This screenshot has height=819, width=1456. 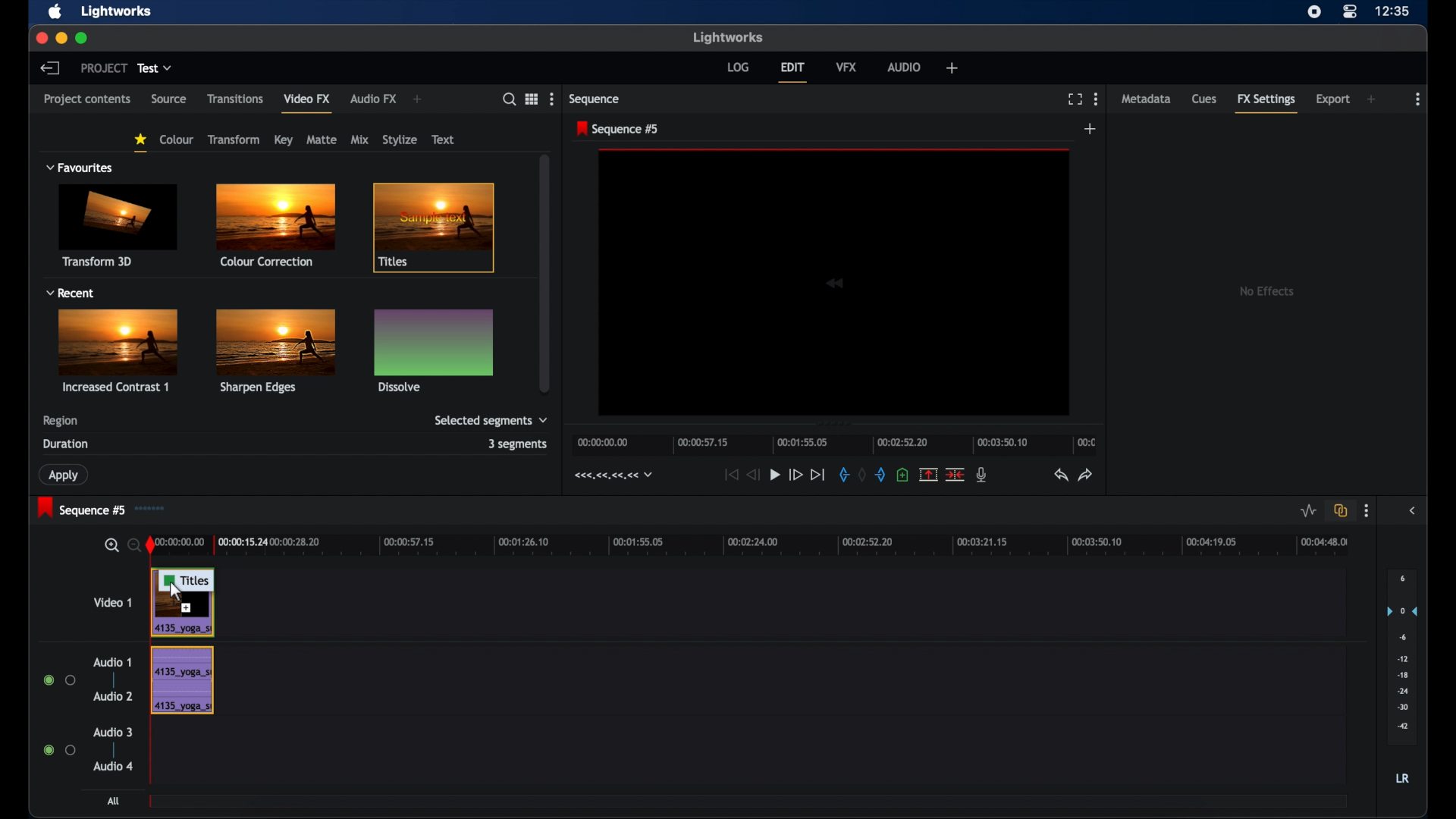 What do you see at coordinates (904, 66) in the screenshot?
I see `audio` at bounding box center [904, 66].